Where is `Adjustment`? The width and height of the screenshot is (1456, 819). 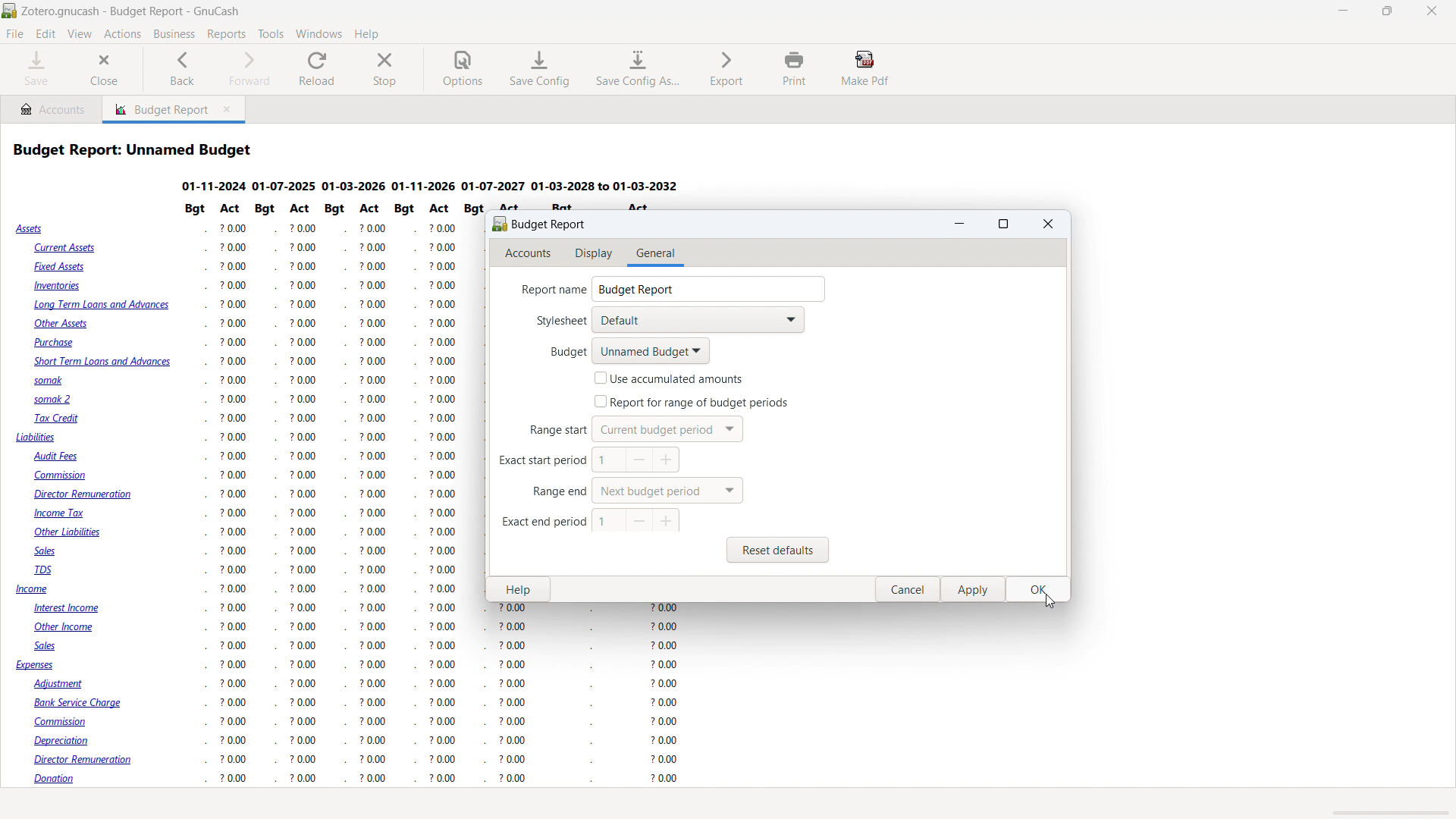 Adjustment is located at coordinates (65, 683).